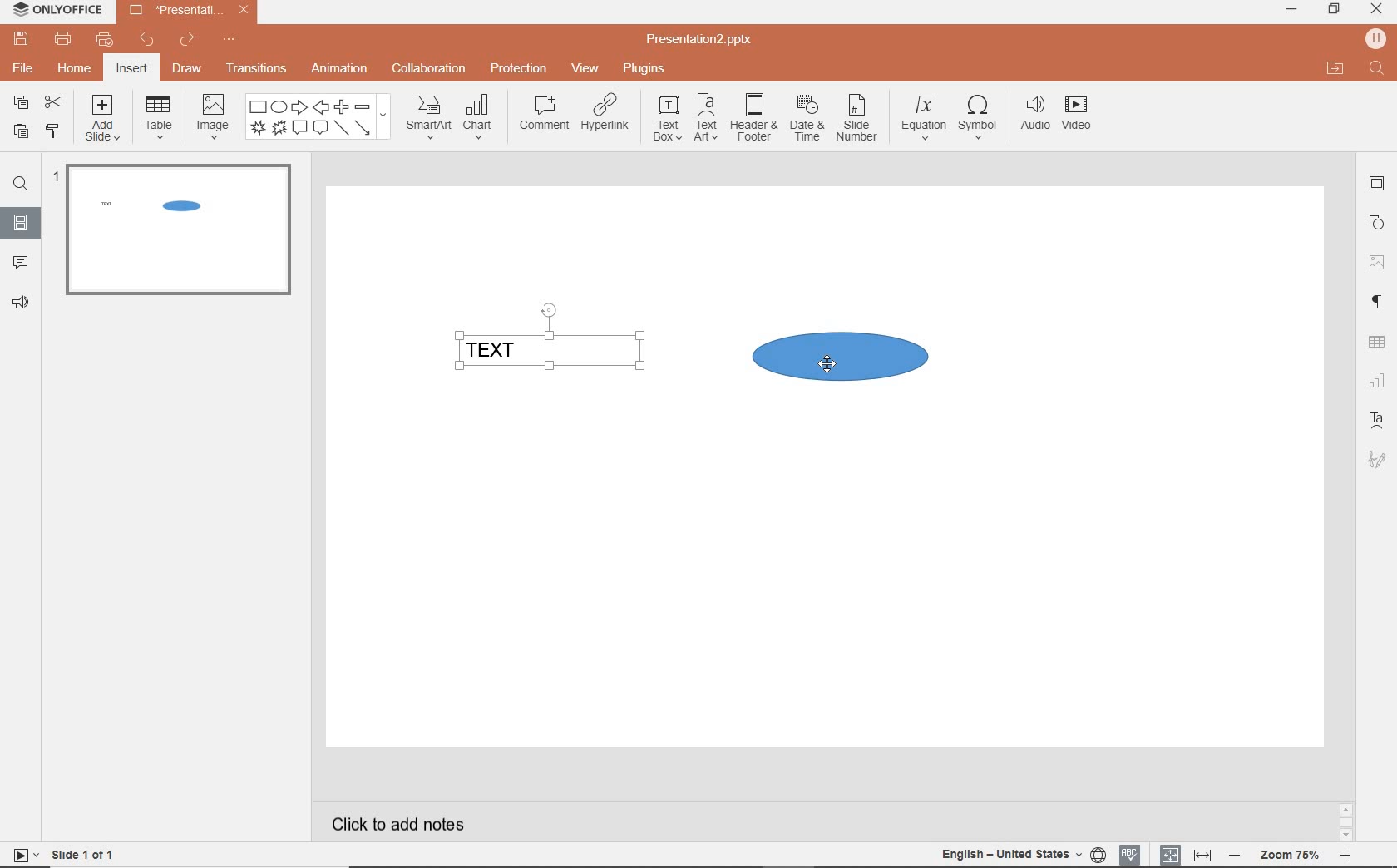 The image size is (1397, 868). Describe the element at coordinates (402, 822) in the screenshot. I see `CLICK TO ADD NOTES` at that location.